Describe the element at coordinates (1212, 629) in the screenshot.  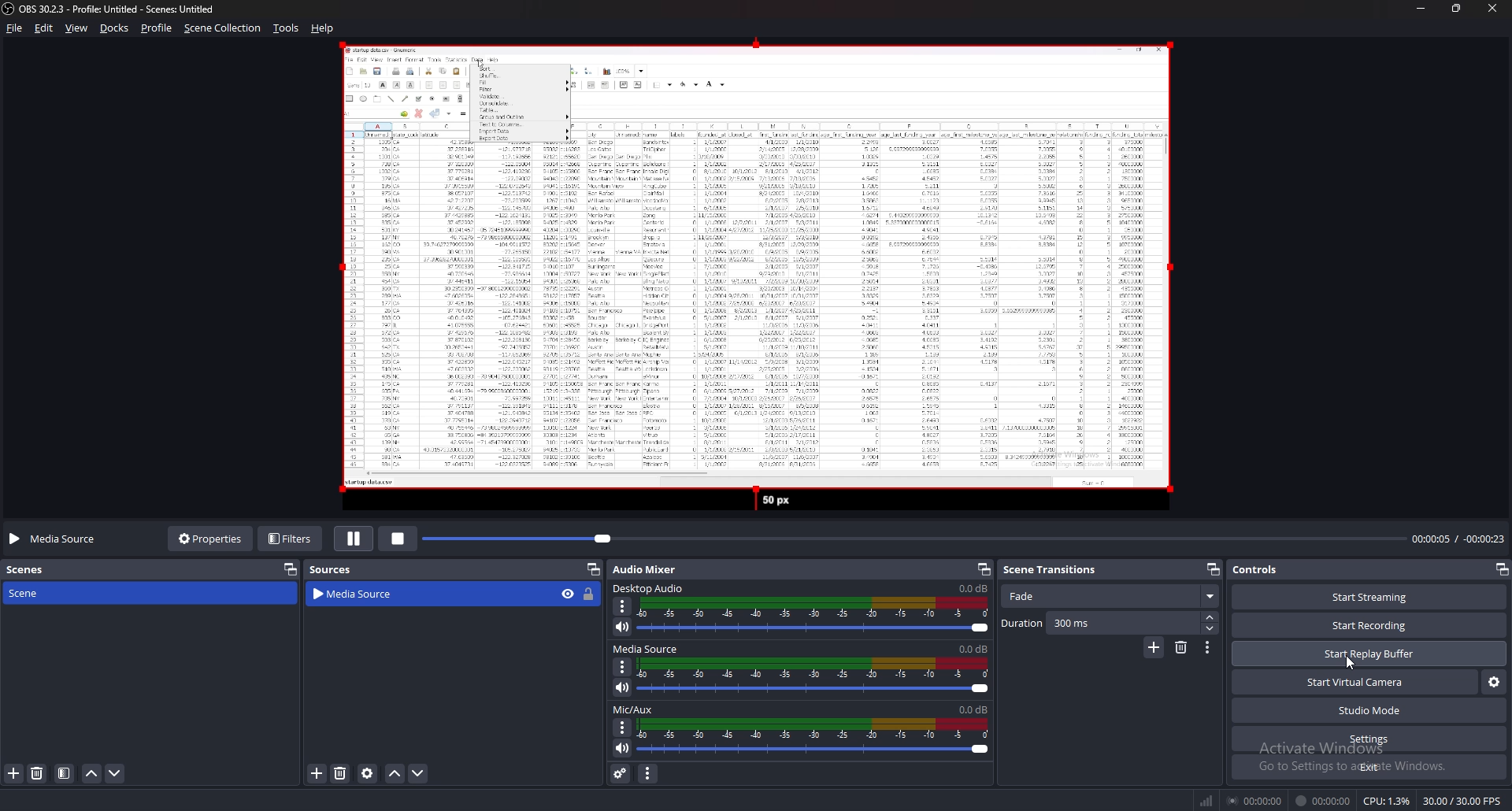
I see `decrease duration` at that location.